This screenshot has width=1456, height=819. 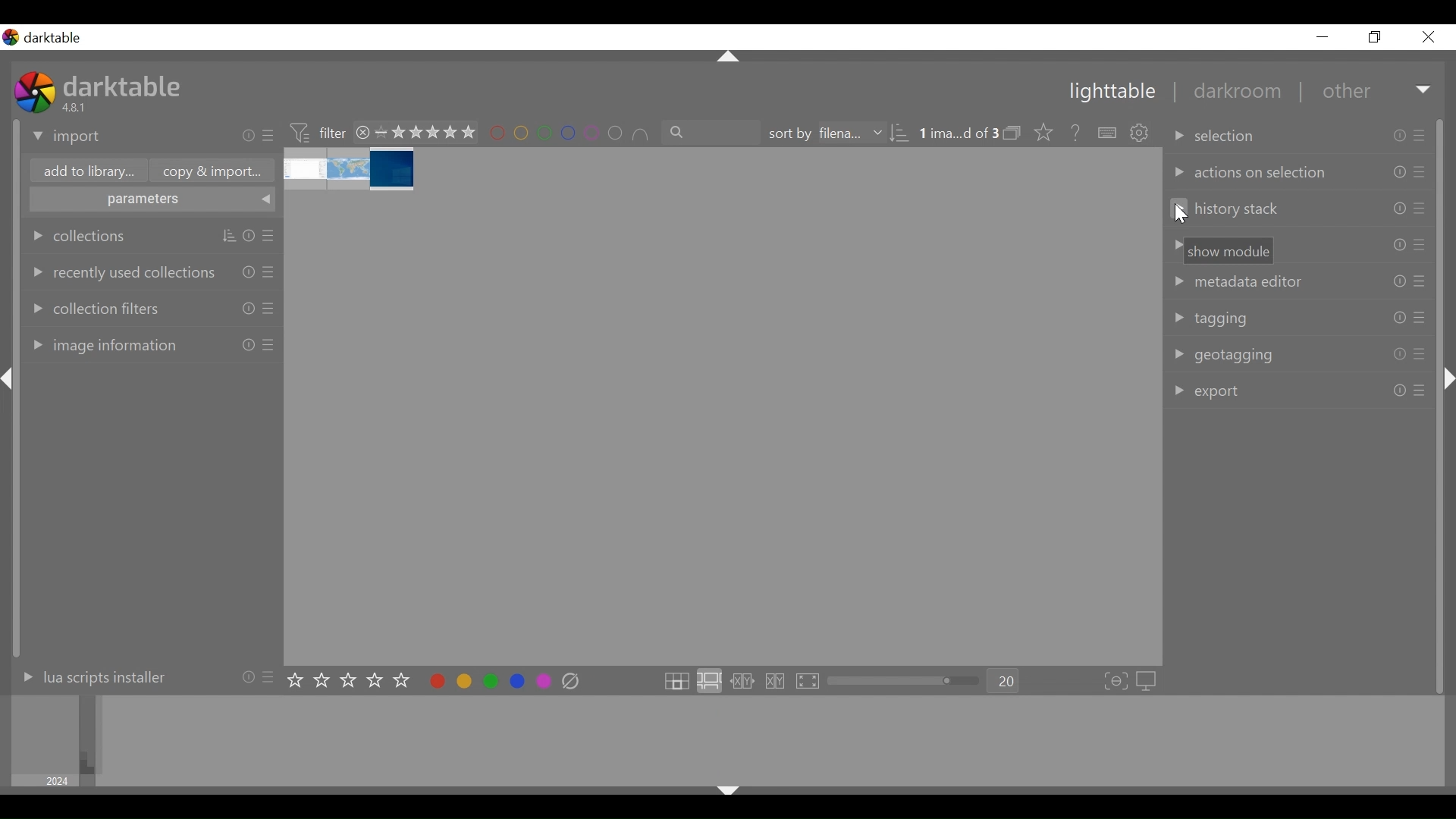 I want to click on presets, so click(x=271, y=676).